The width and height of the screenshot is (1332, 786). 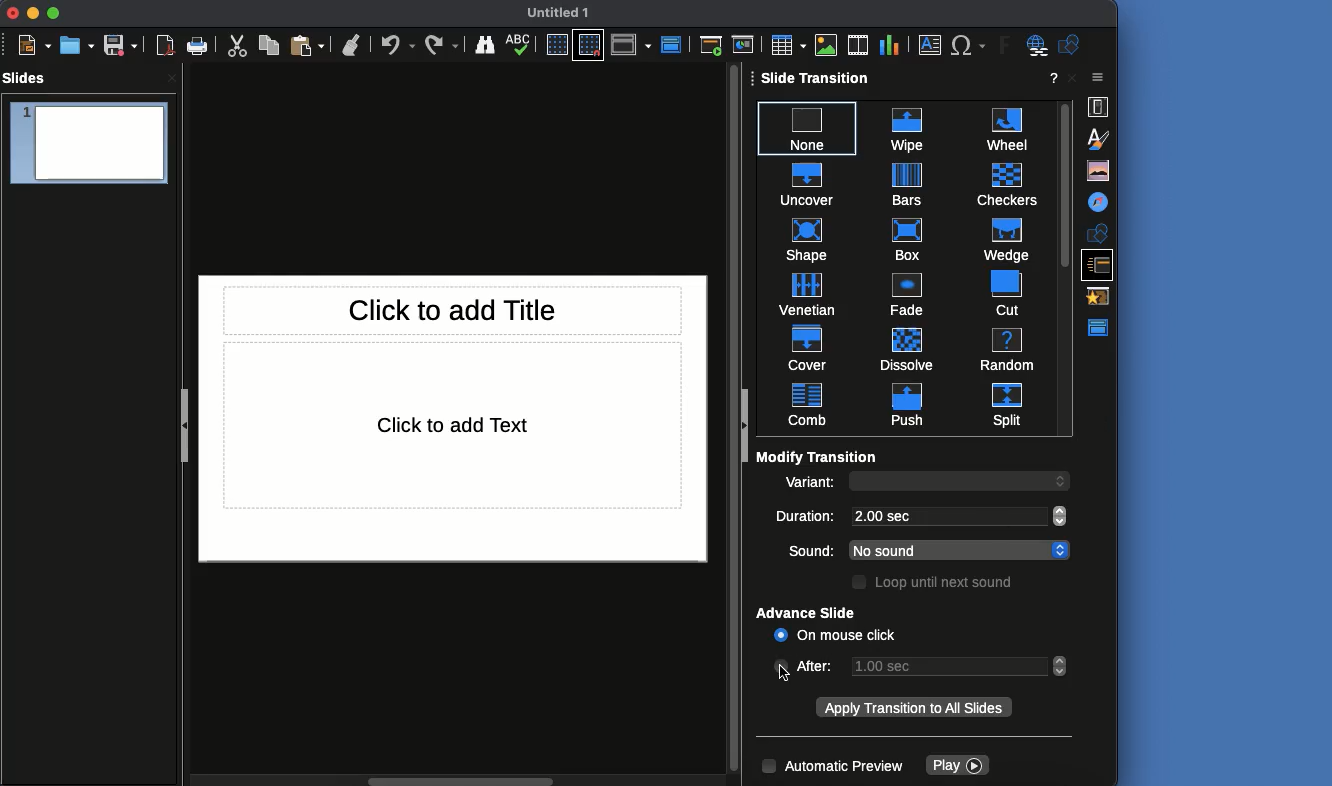 What do you see at coordinates (1051, 78) in the screenshot?
I see `Help` at bounding box center [1051, 78].